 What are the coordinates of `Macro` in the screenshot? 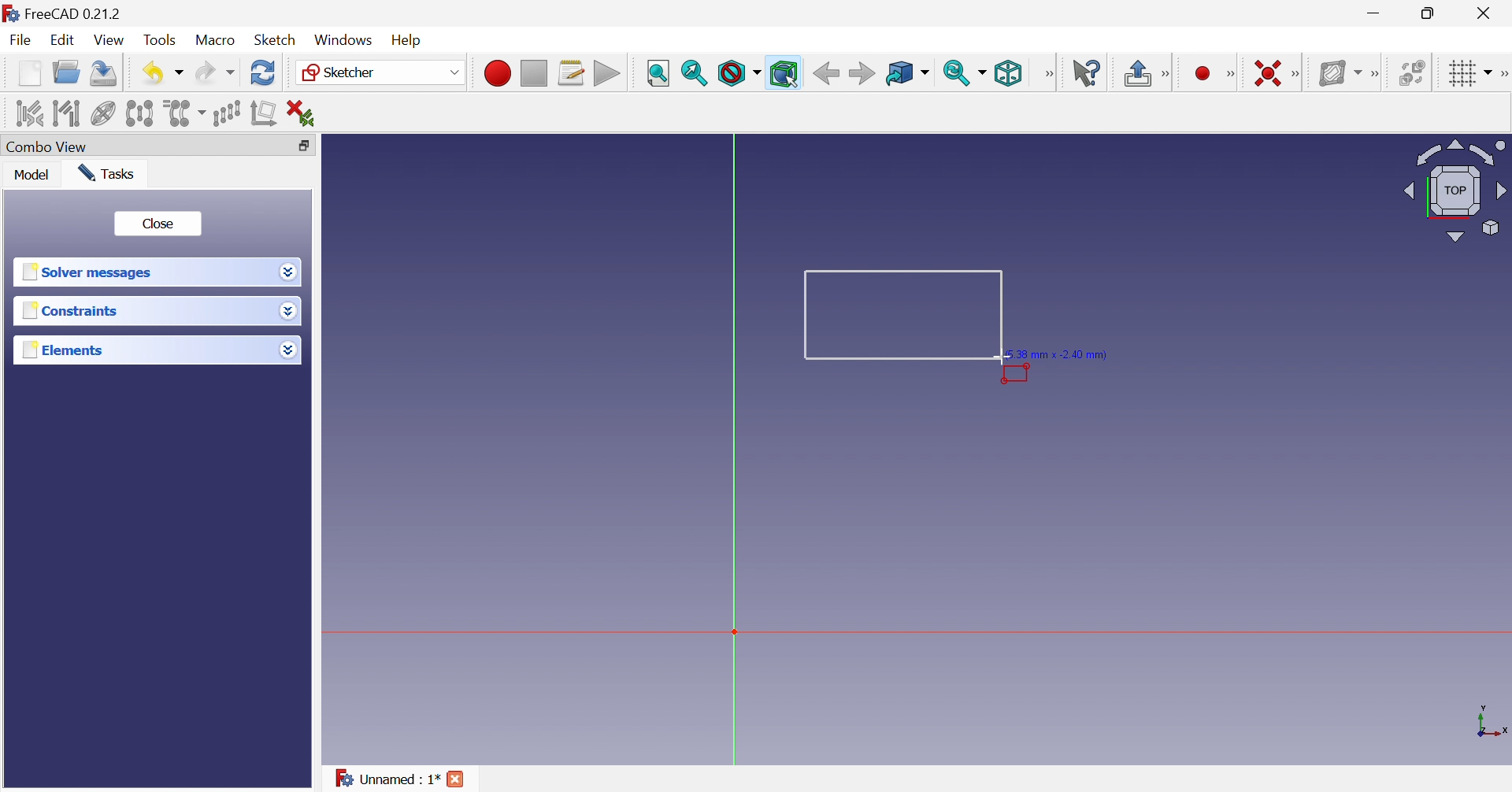 It's located at (213, 40).